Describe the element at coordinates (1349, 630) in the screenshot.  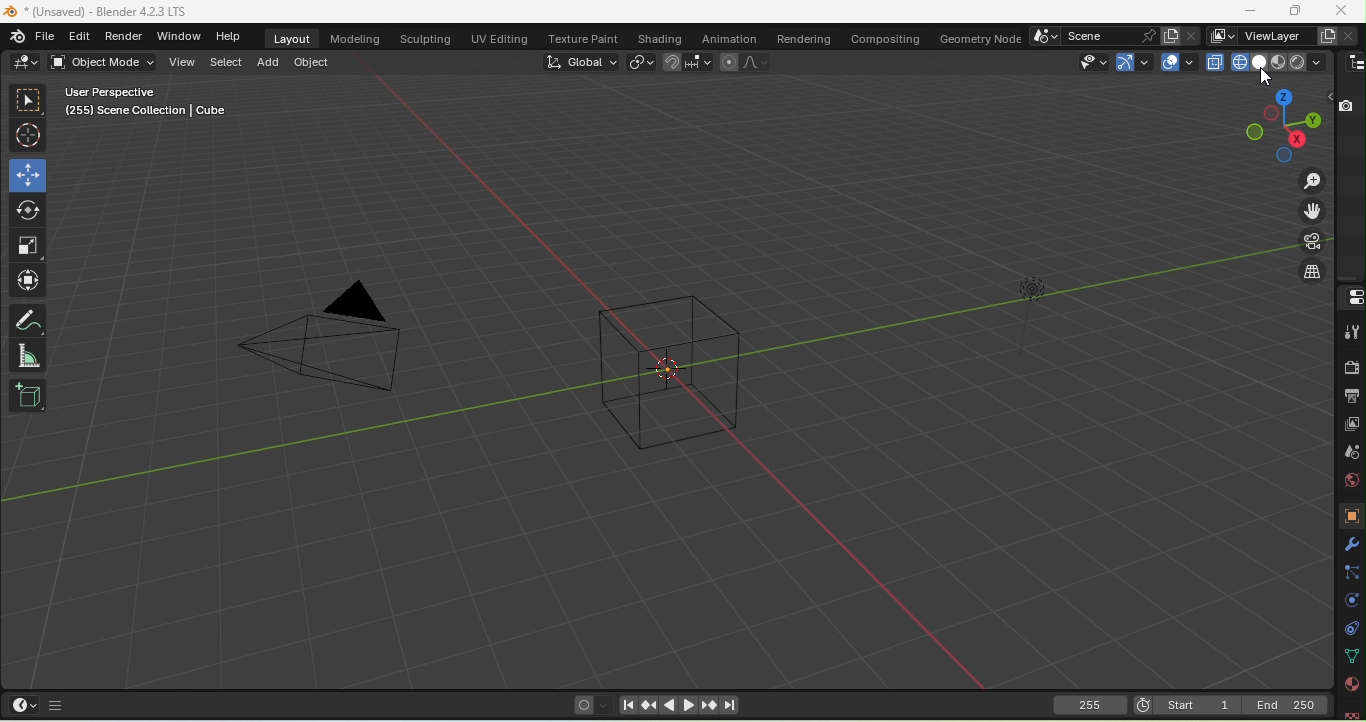
I see `Constraints` at that location.